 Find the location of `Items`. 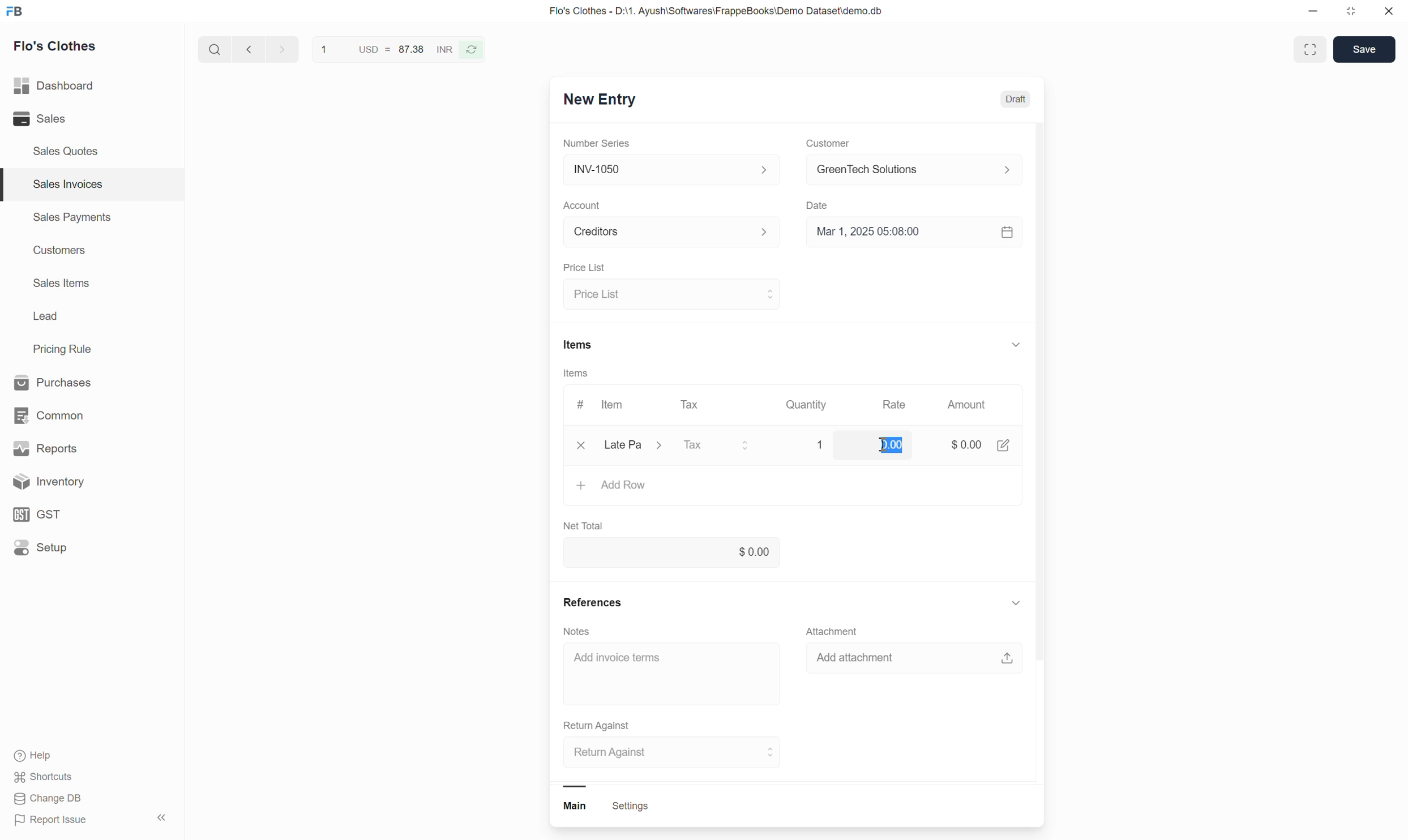

Items is located at coordinates (577, 344).